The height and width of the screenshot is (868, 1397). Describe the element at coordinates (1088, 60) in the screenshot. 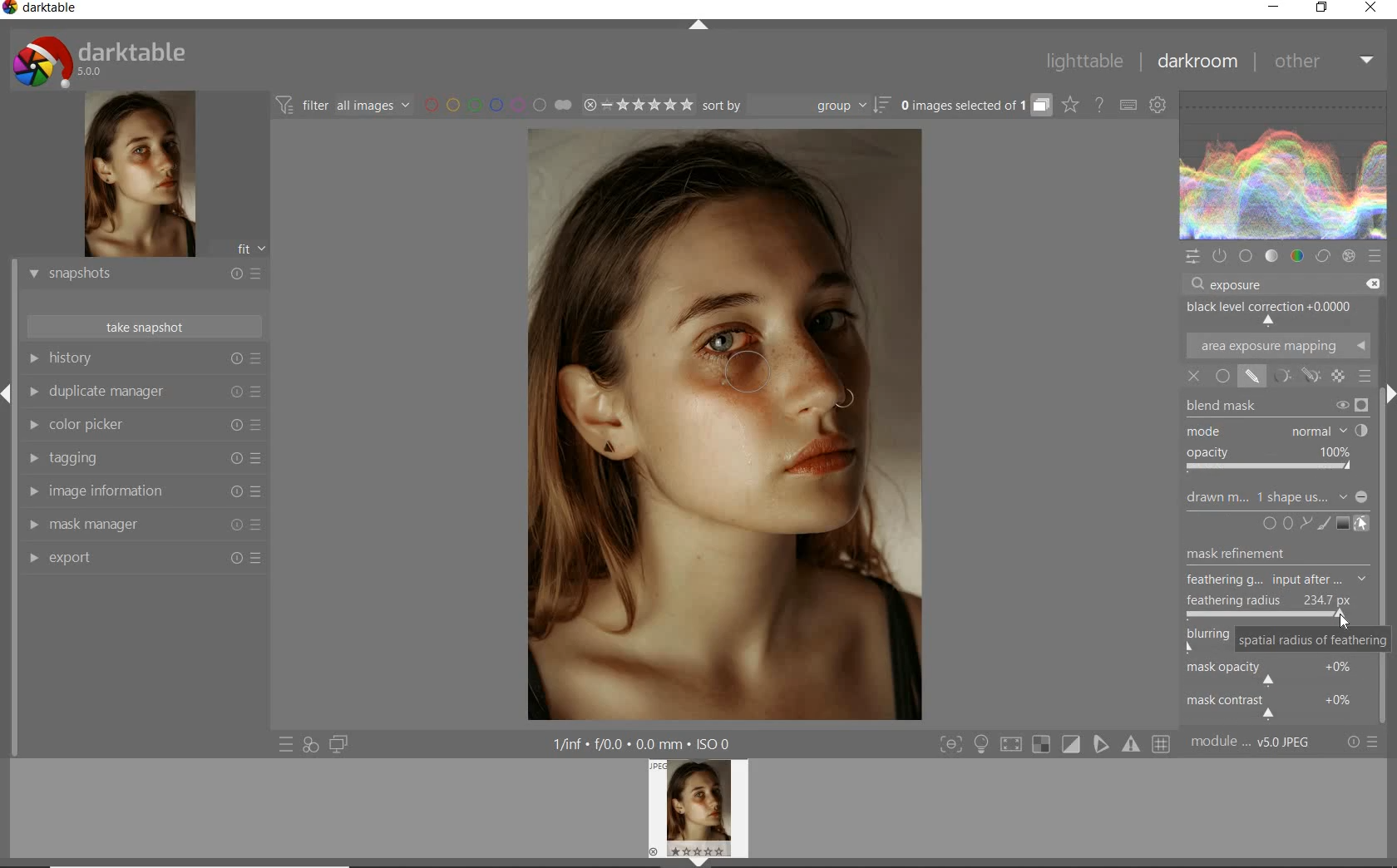

I see `lighttable` at that location.